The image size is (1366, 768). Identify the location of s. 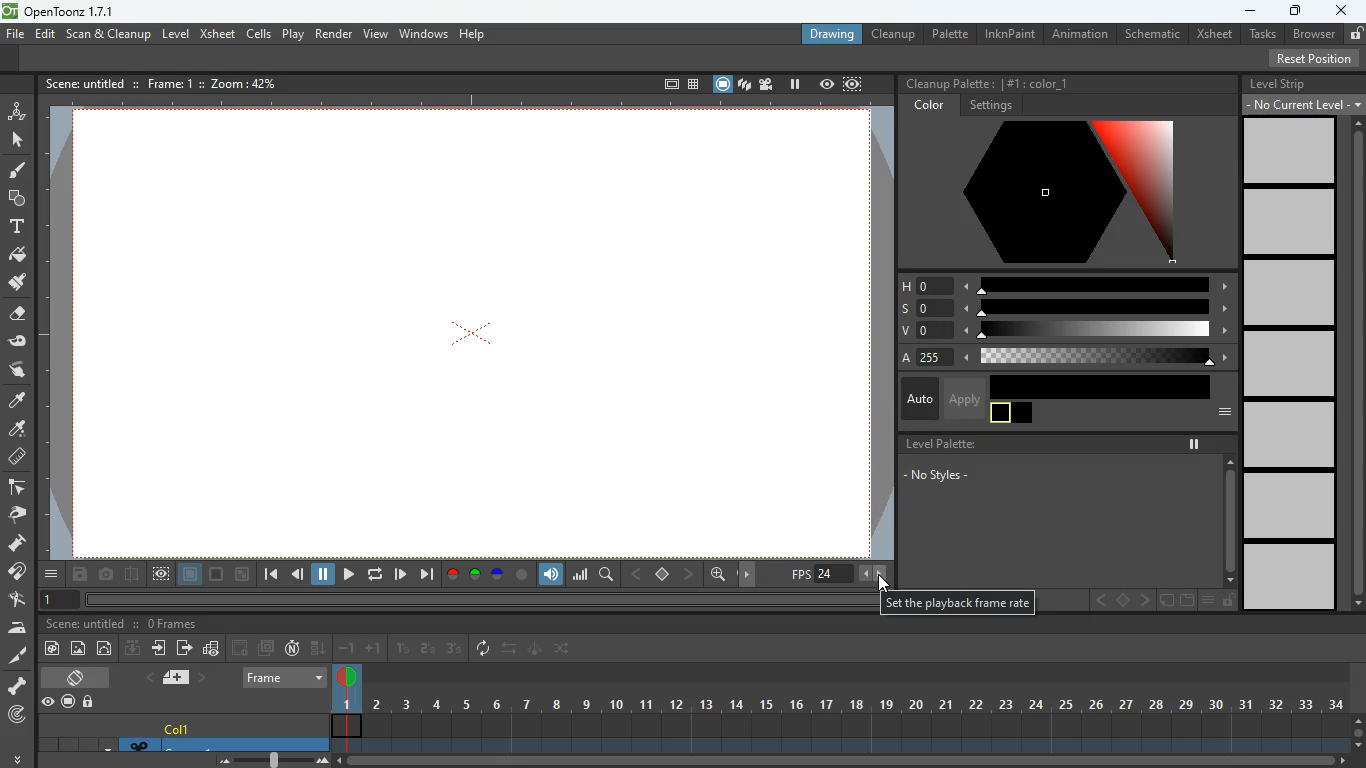
(1065, 309).